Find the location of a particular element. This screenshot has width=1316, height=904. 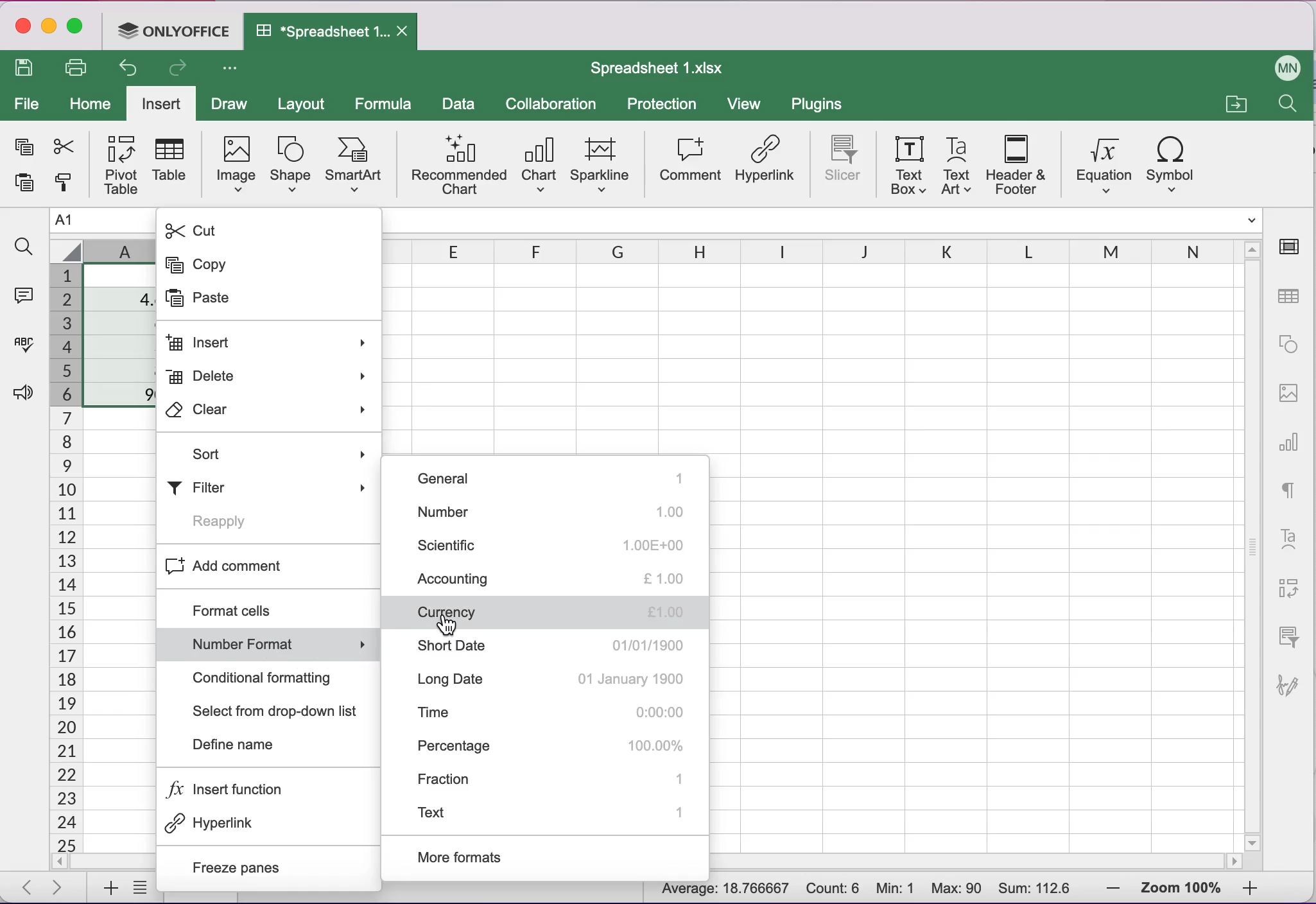

short date is located at coordinates (549, 647).